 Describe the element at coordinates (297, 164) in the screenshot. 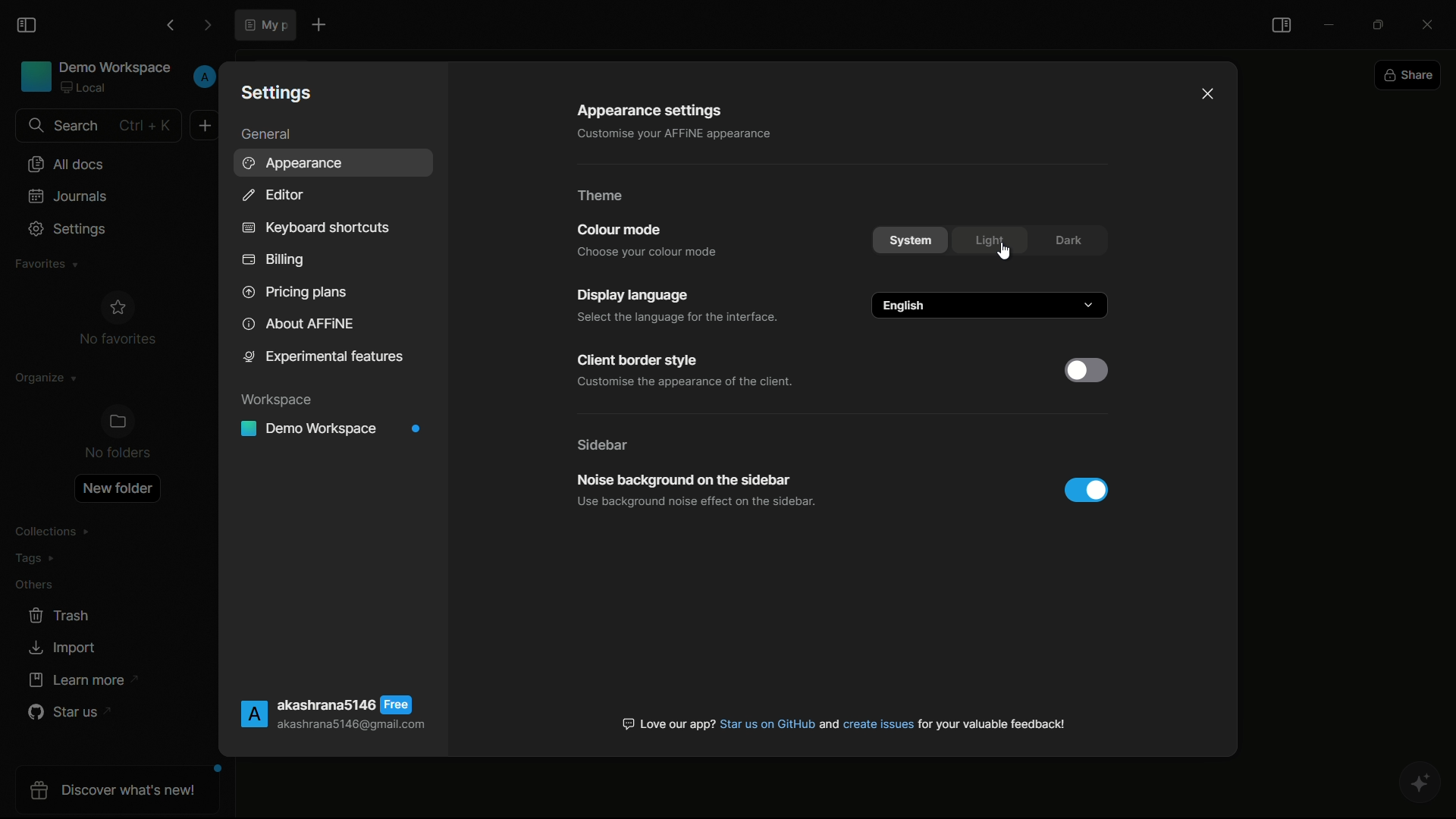

I see `appearance` at that location.